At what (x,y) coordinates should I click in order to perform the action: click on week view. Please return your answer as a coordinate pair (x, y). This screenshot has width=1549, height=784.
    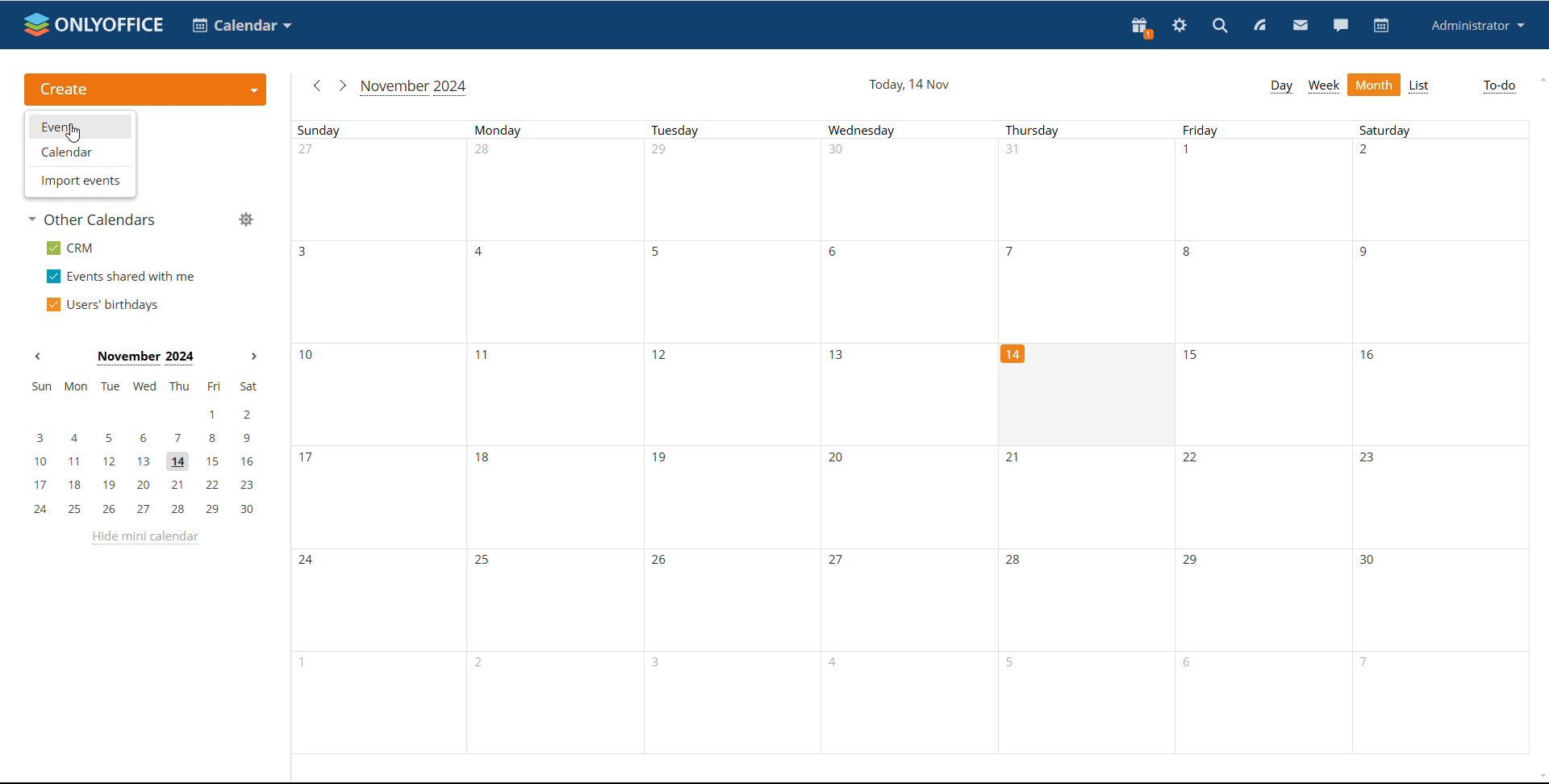
    Looking at the image, I should click on (1324, 85).